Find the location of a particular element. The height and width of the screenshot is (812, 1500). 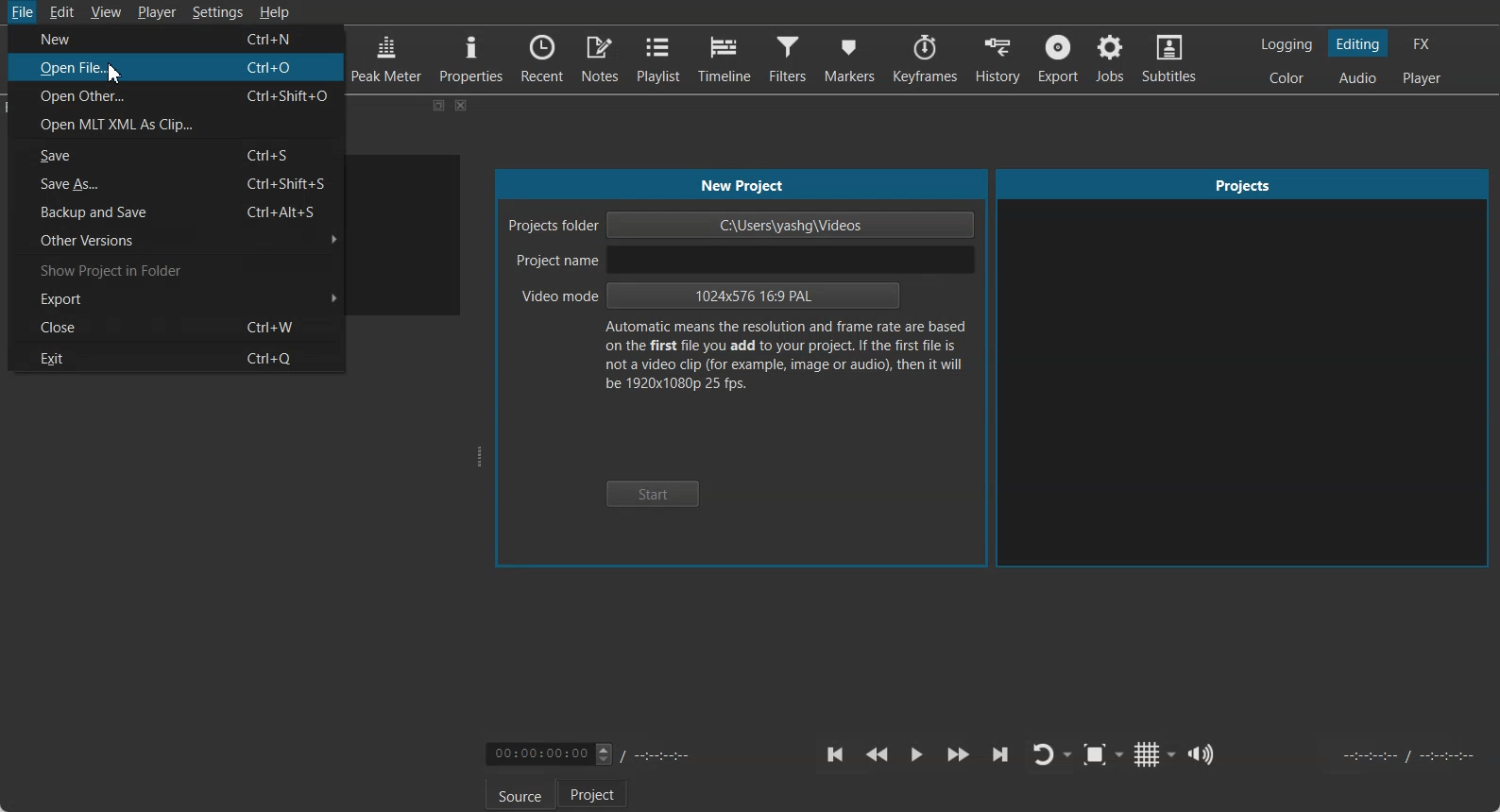

Show Project in Folder is located at coordinates (179, 270).